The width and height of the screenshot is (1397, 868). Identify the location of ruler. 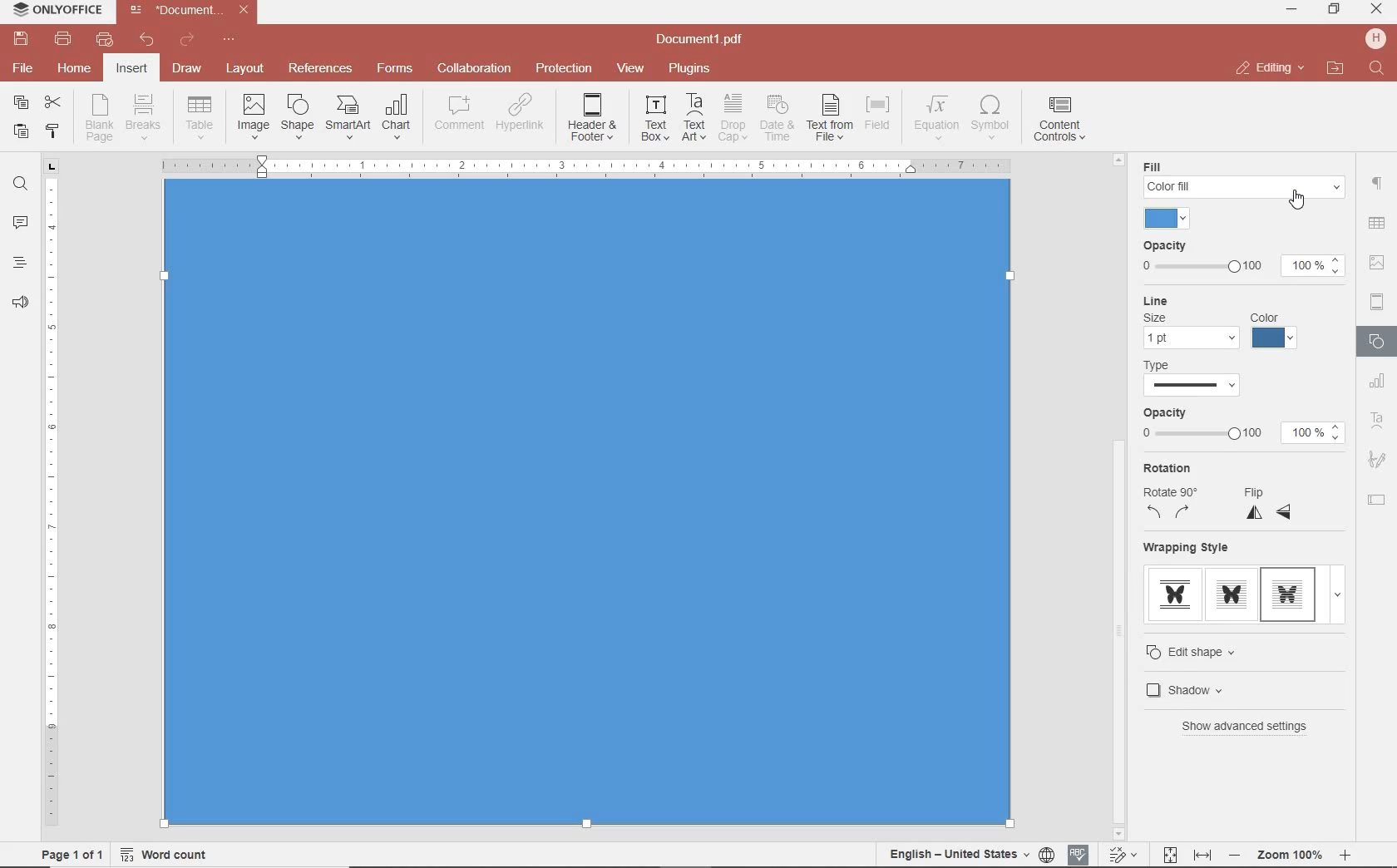
(52, 508).